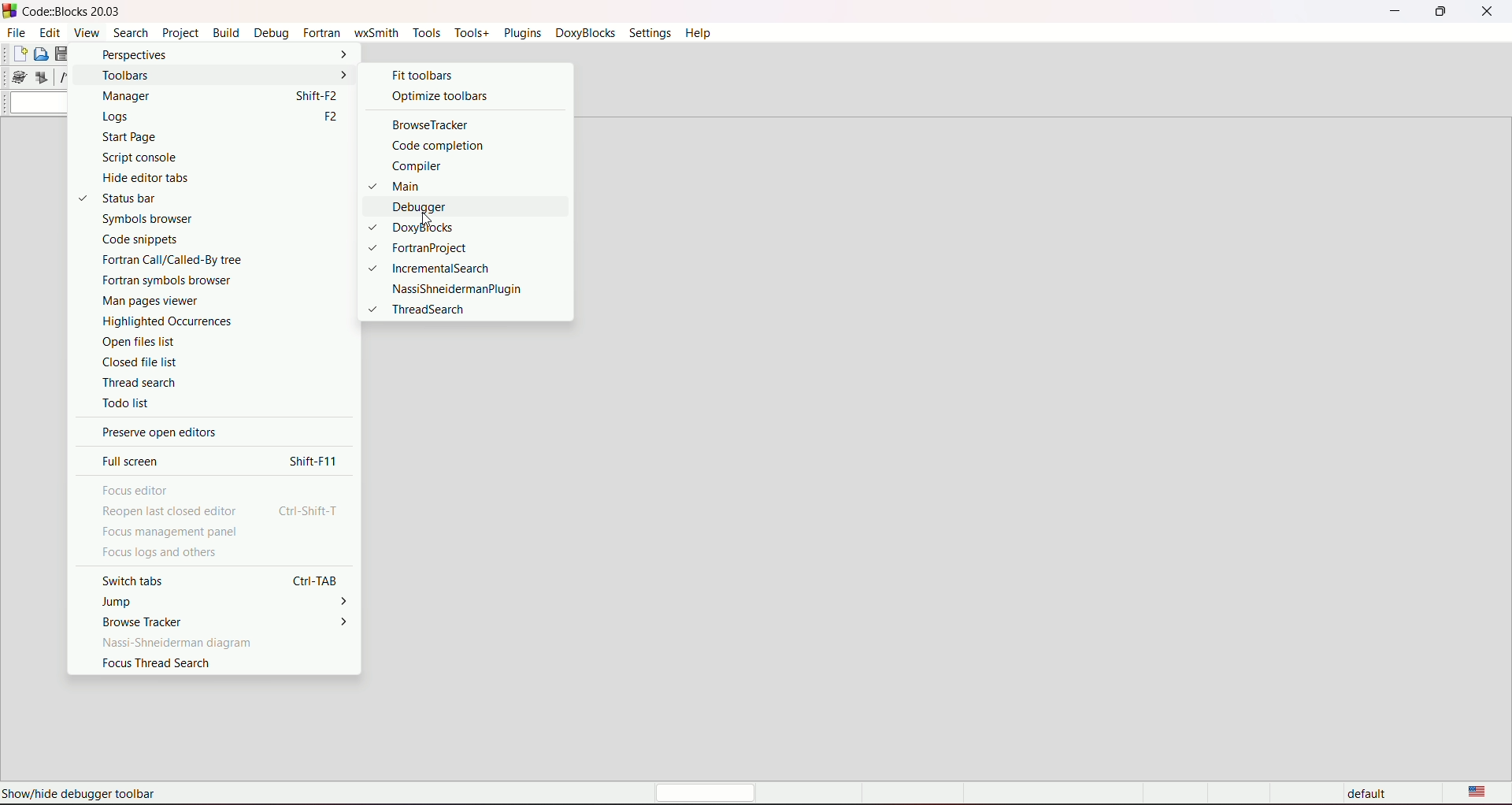 Image resolution: width=1512 pixels, height=805 pixels. I want to click on incremental search, so click(437, 268).